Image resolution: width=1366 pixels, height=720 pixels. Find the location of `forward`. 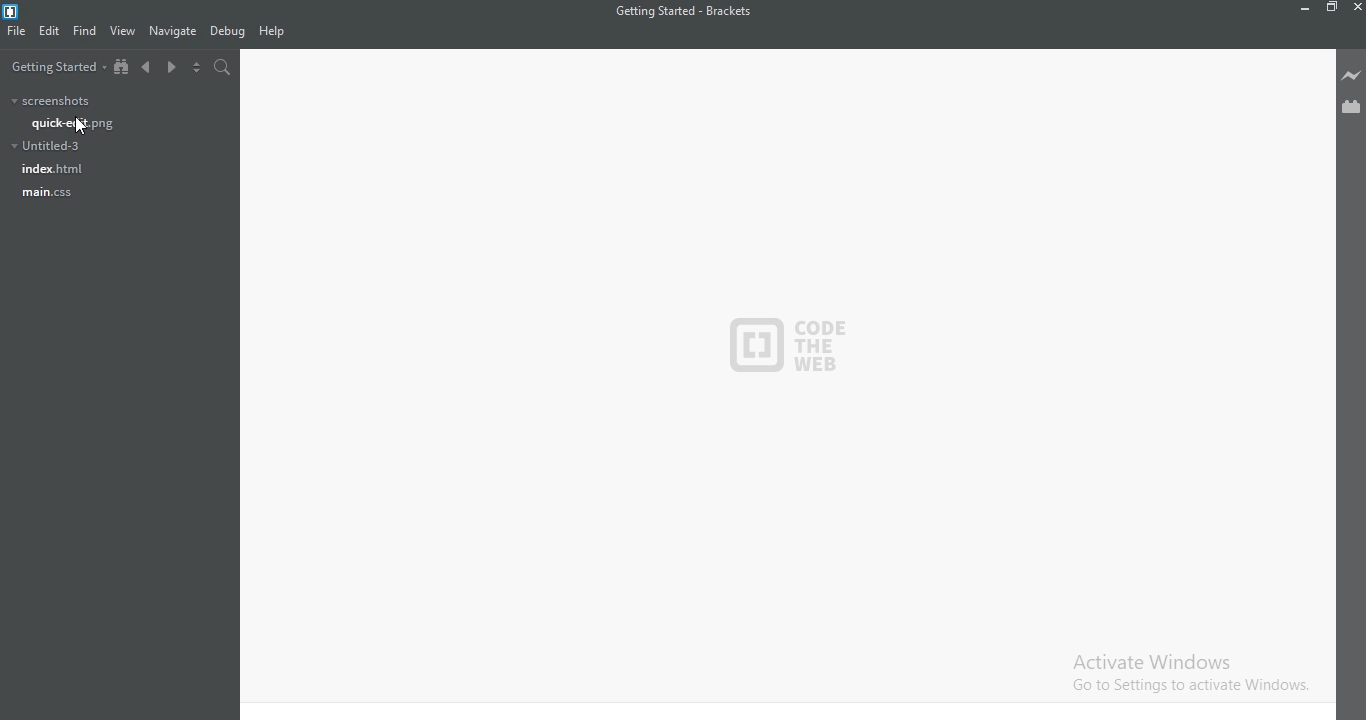

forward is located at coordinates (173, 69).